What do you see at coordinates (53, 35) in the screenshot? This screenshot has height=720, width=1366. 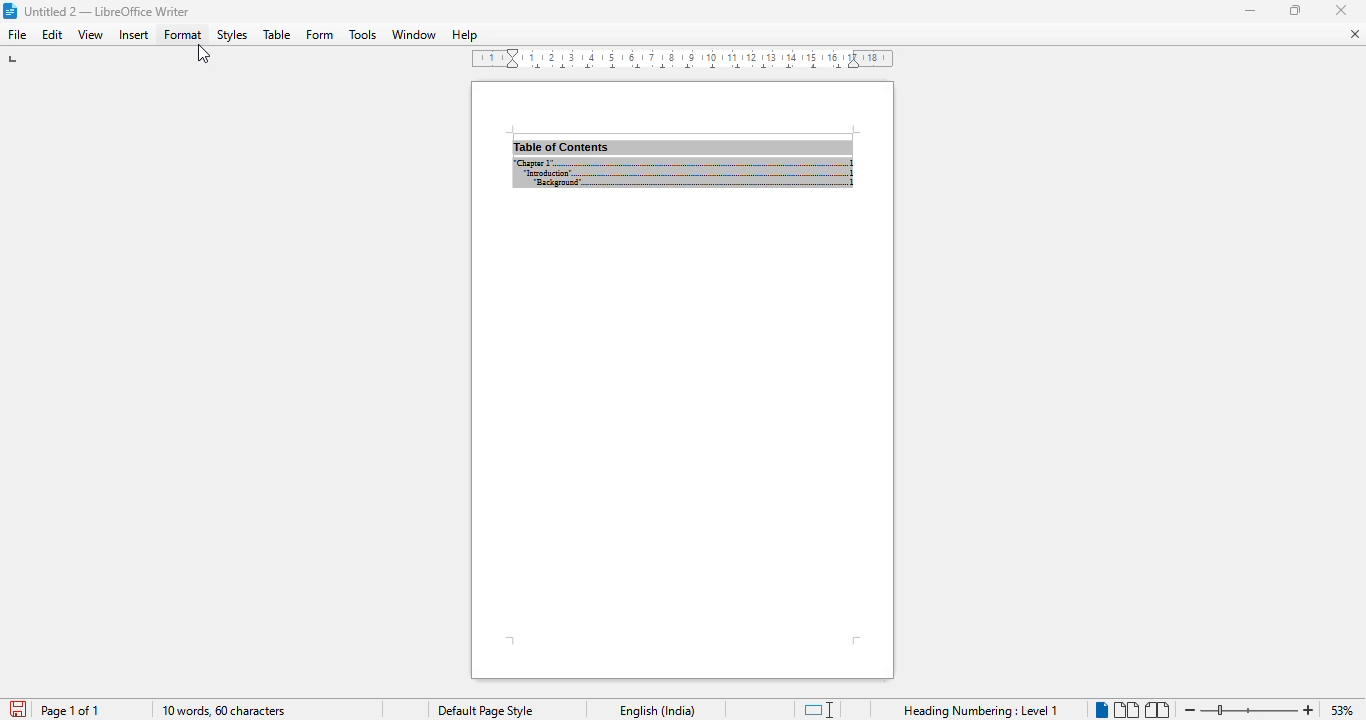 I see `edit` at bounding box center [53, 35].